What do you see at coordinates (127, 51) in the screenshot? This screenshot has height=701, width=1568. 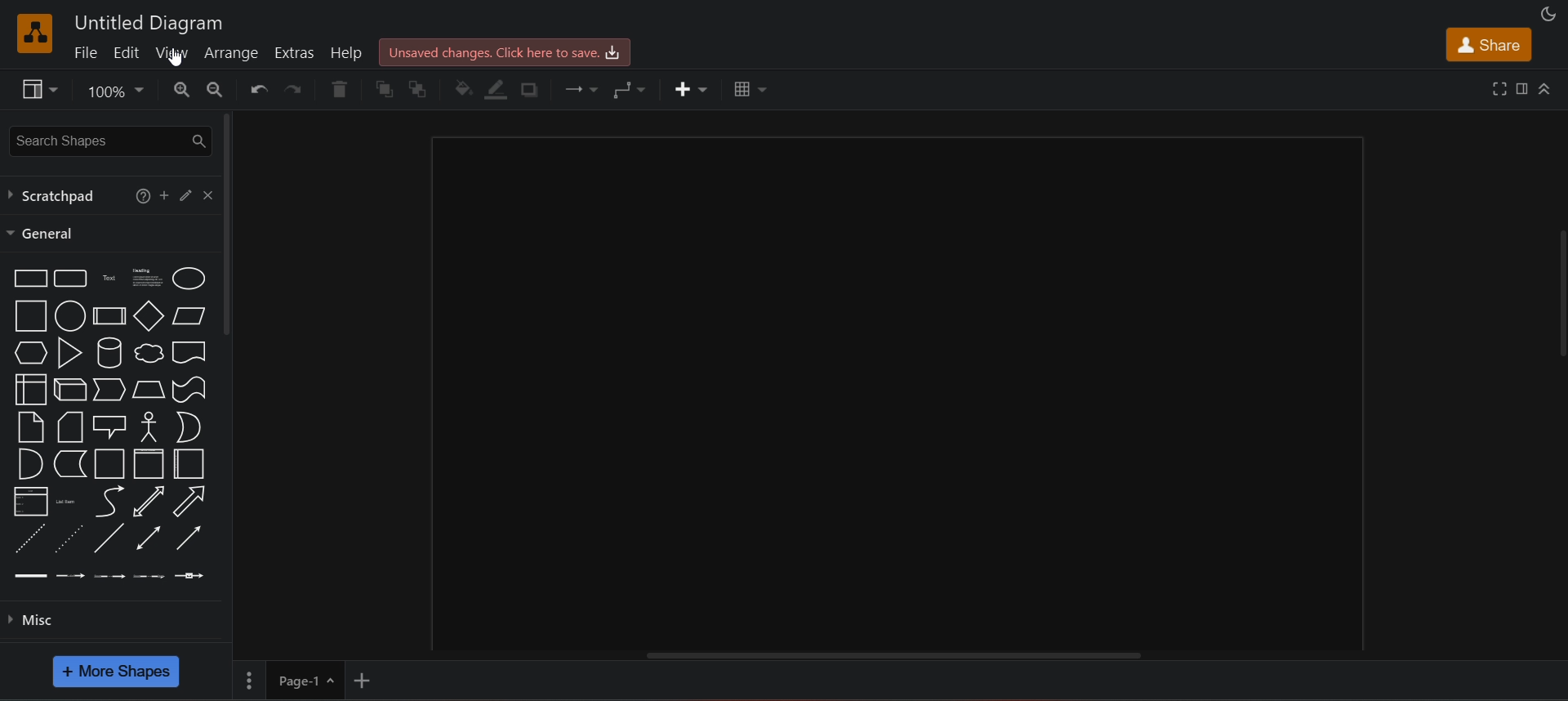 I see `edit` at bounding box center [127, 51].